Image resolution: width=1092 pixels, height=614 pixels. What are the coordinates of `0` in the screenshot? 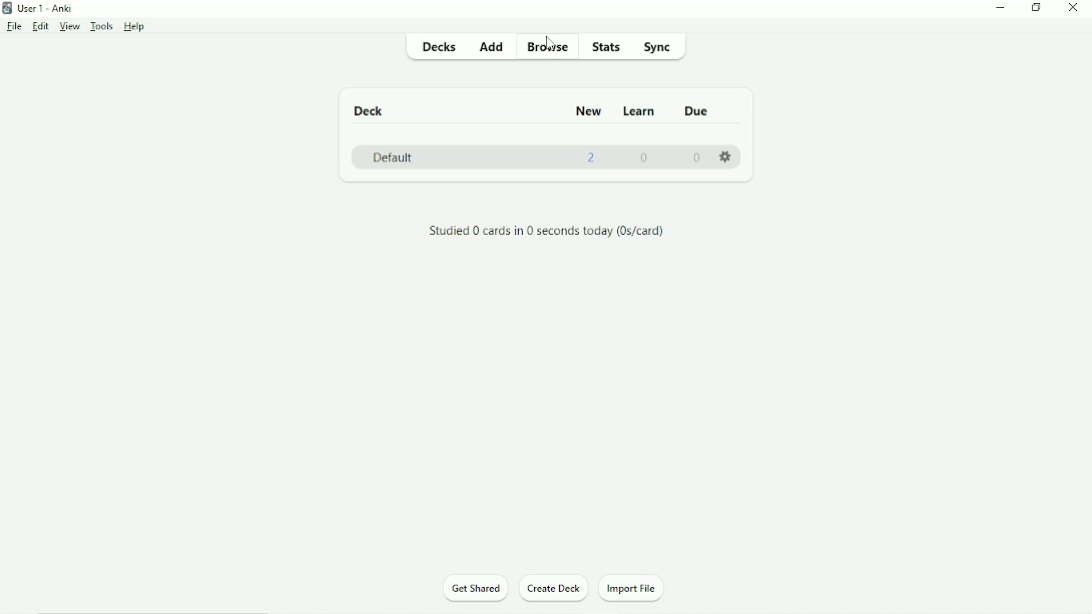 It's located at (644, 157).